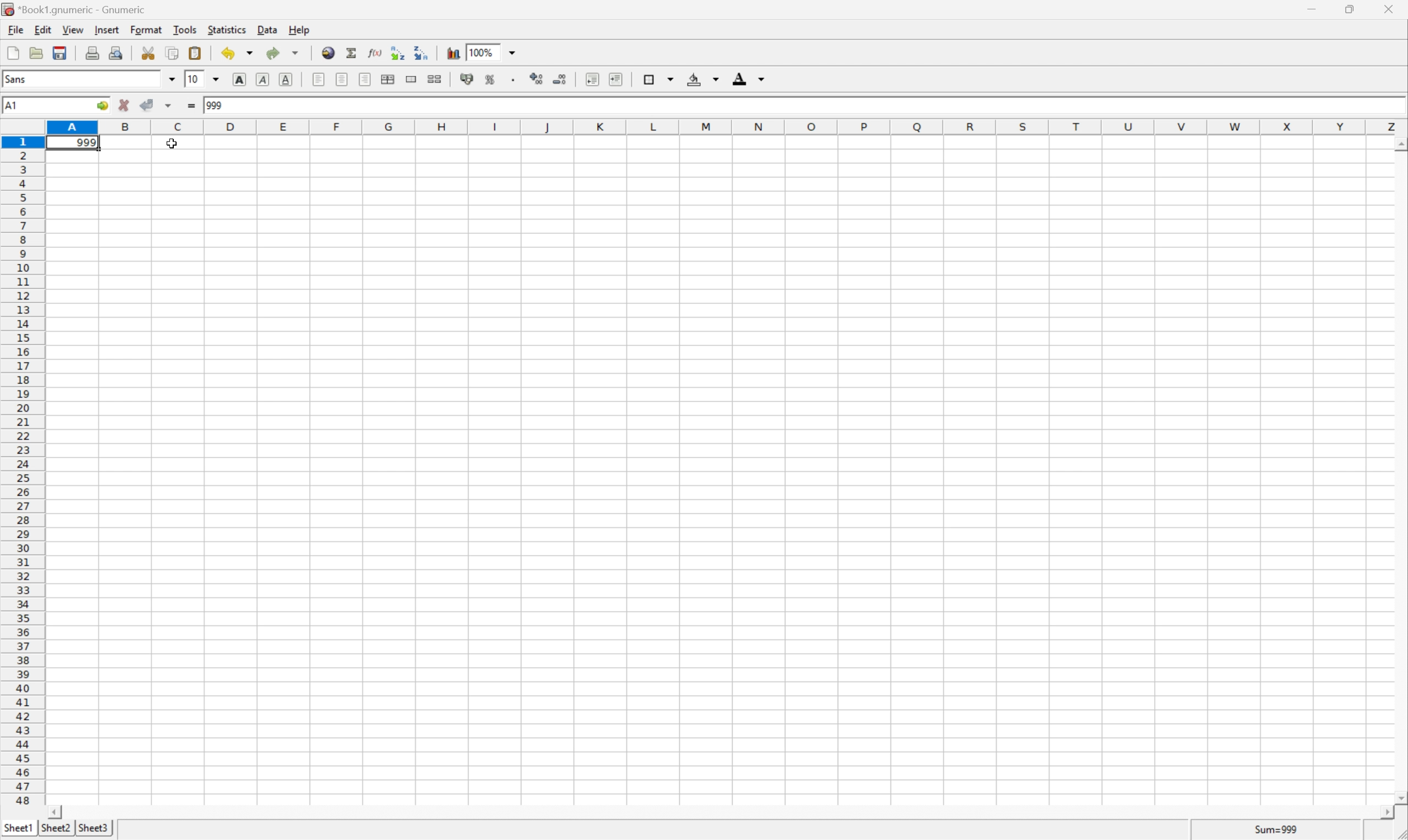 This screenshot has width=1408, height=840. Describe the element at coordinates (823, 106) in the screenshot. I see `Formula bar` at that location.